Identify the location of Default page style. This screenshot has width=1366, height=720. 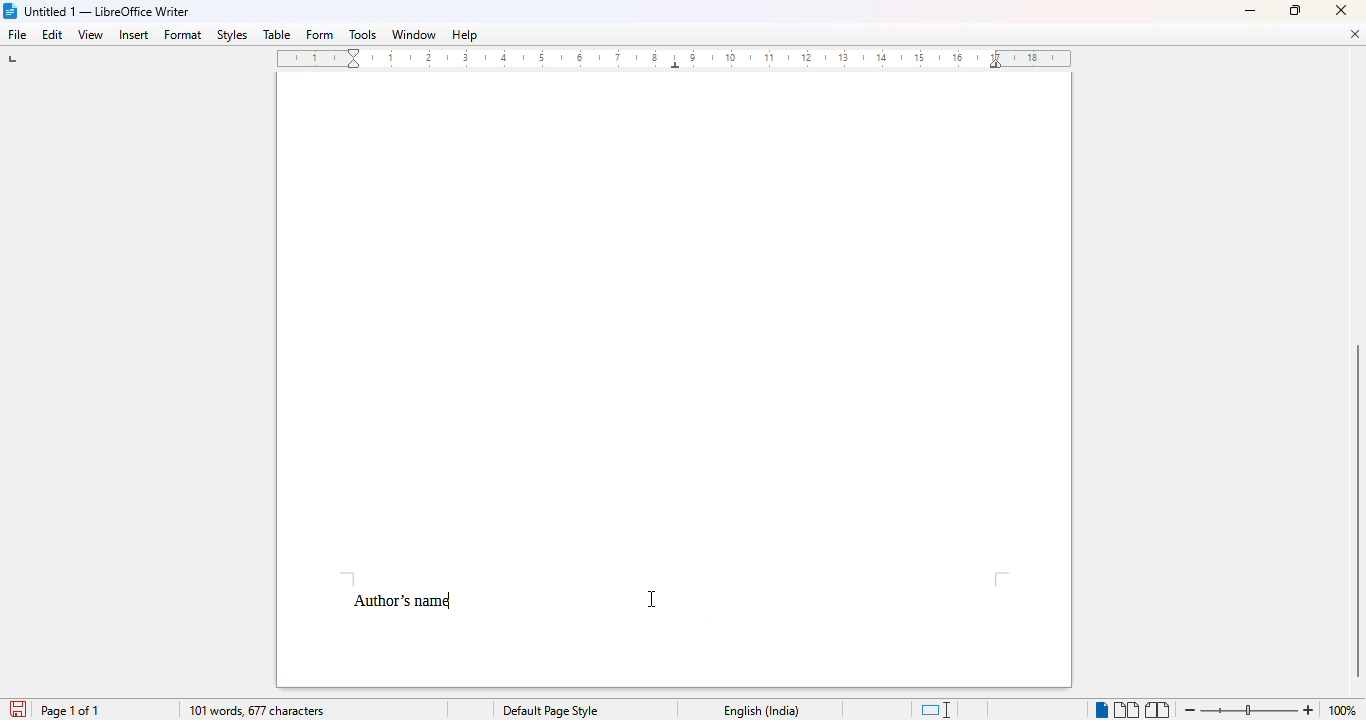
(550, 711).